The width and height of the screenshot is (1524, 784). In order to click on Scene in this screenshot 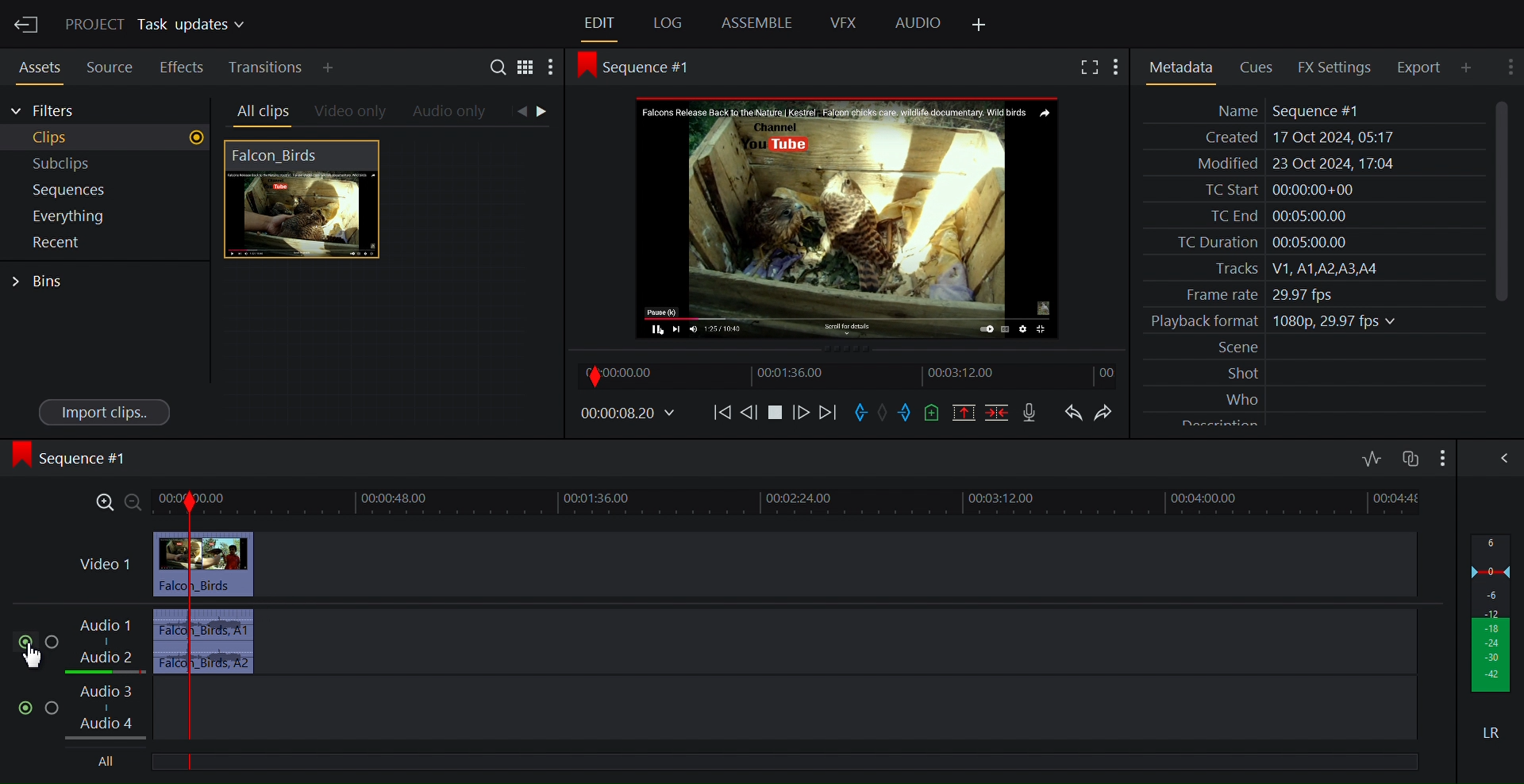, I will do `click(1316, 348)`.